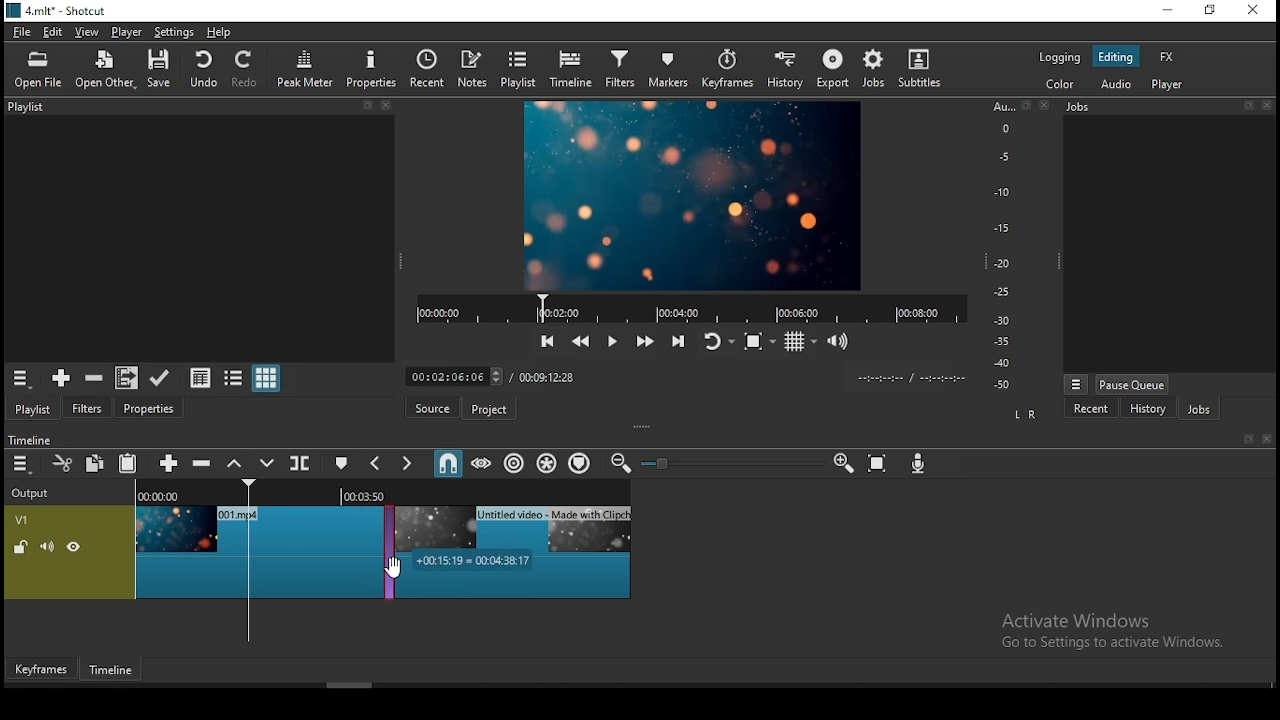 Image resolution: width=1280 pixels, height=720 pixels. Describe the element at coordinates (483, 463) in the screenshot. I see `scrub while dragging` at that location.